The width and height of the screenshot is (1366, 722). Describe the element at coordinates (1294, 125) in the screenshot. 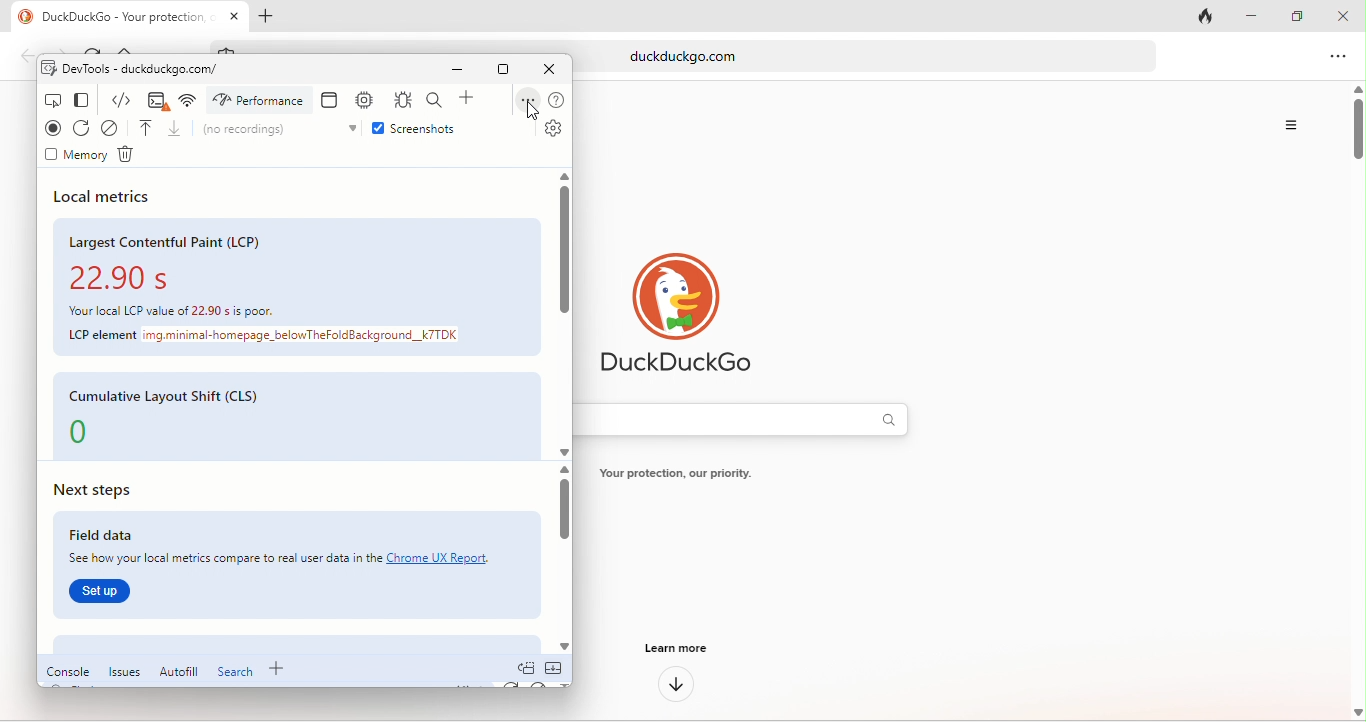

I see `option` at that location.